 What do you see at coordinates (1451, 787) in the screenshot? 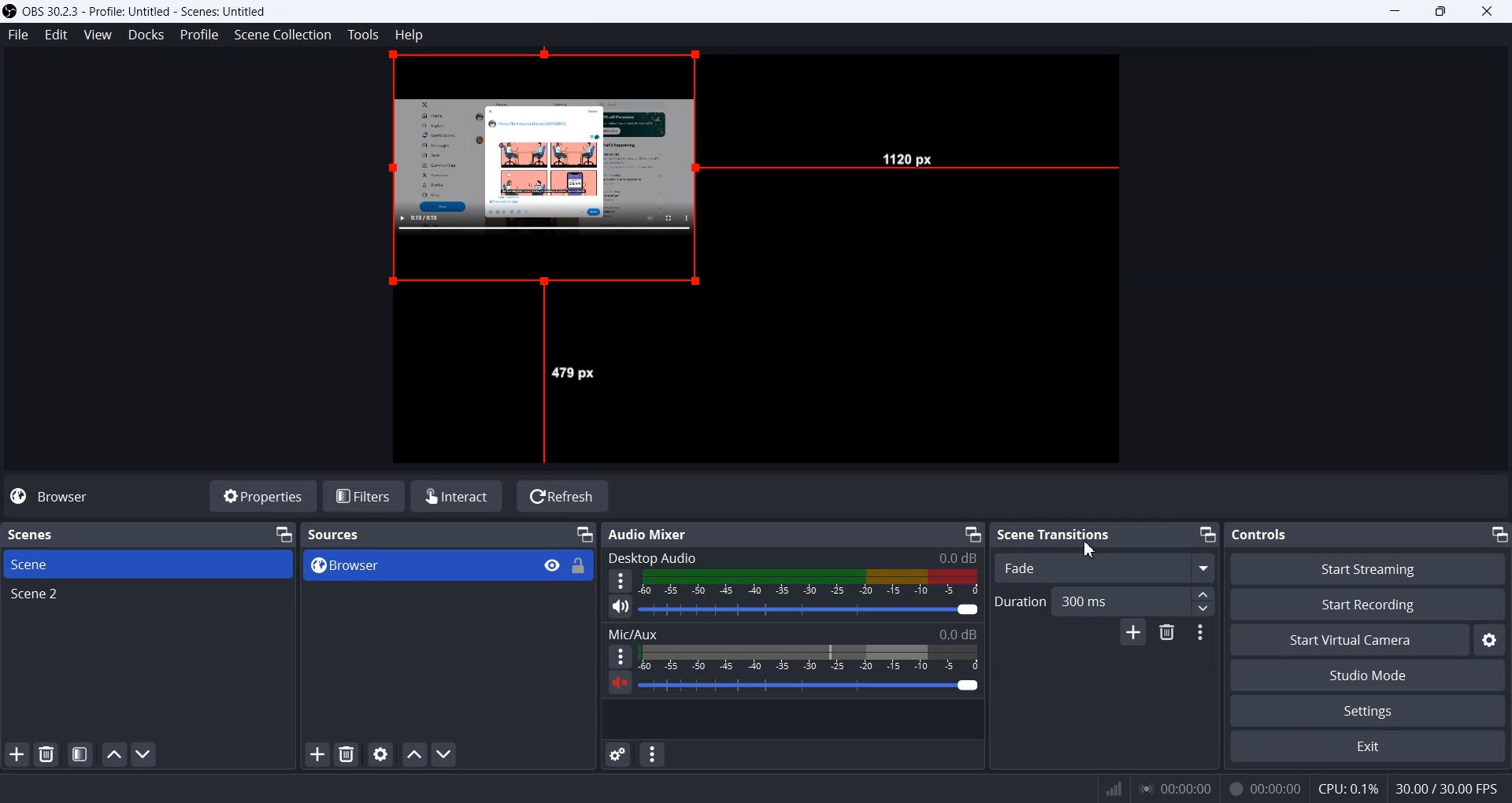
I see `30.00/30.00 FPS` at bounding box center [1451, 787].